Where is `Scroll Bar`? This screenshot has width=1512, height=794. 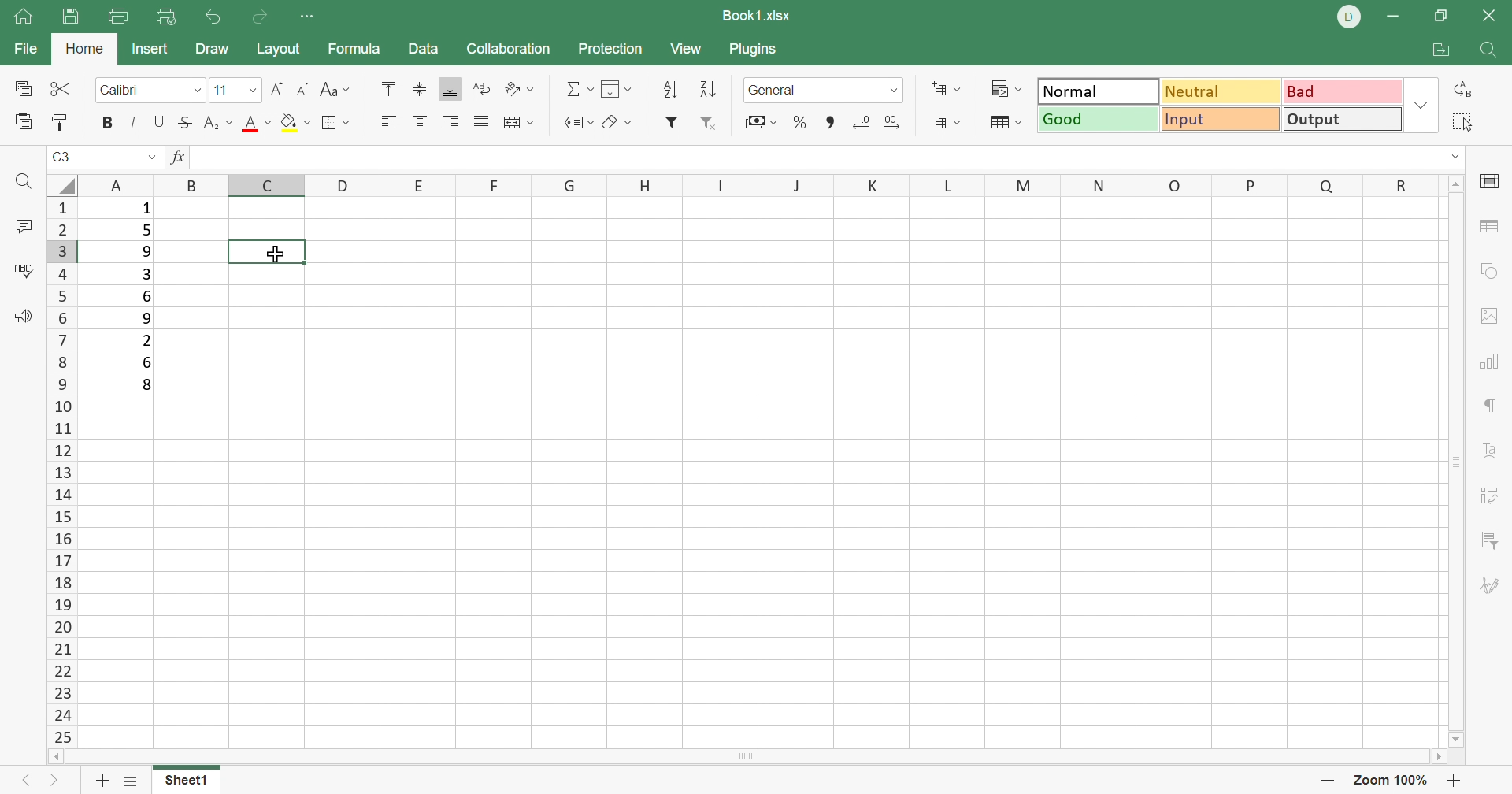 Scroll Bar is located at coordinates (753, 758).